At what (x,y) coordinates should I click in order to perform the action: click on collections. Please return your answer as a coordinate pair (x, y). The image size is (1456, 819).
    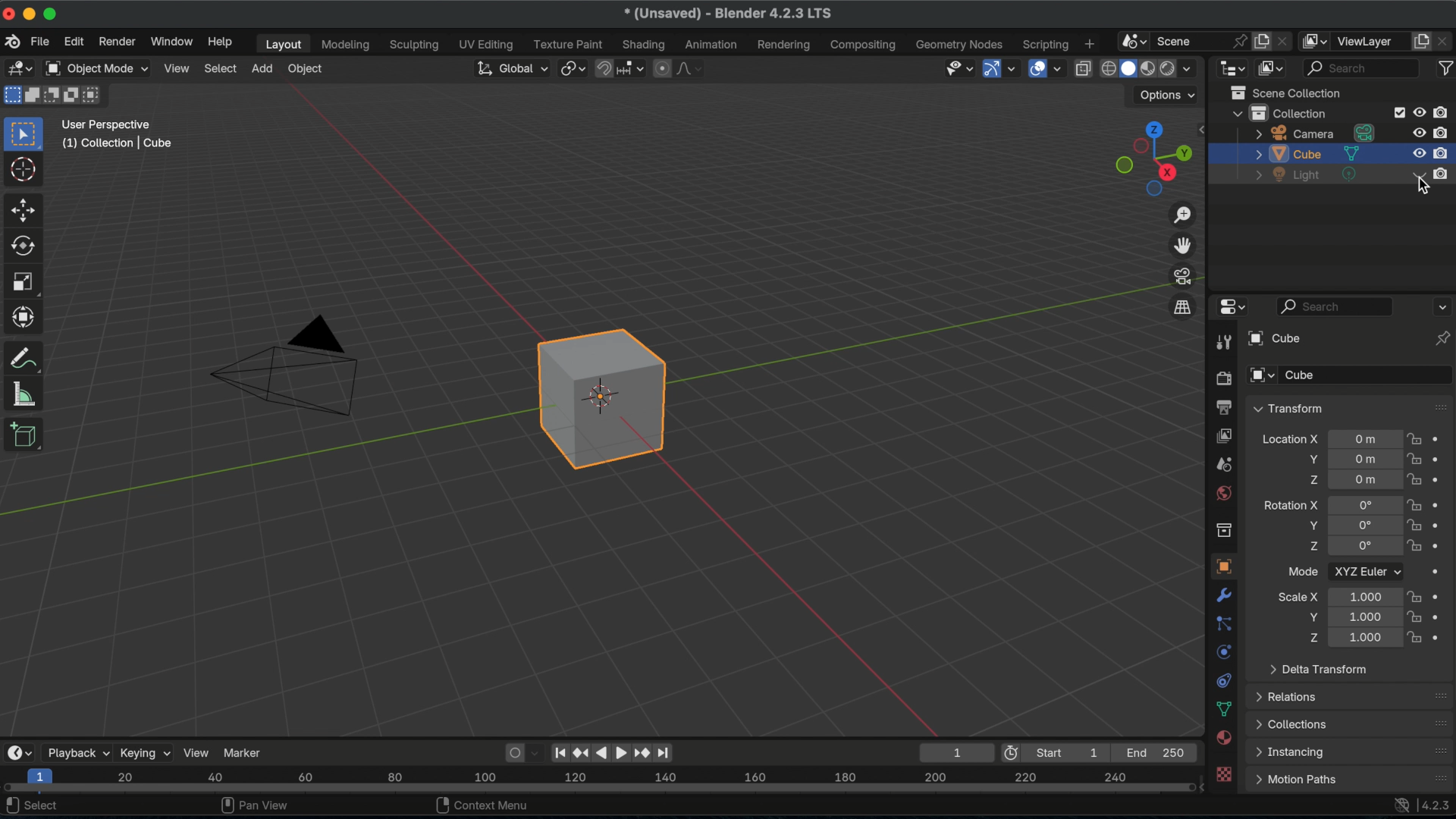
    Looking at the image, I should click on (1292, 725).